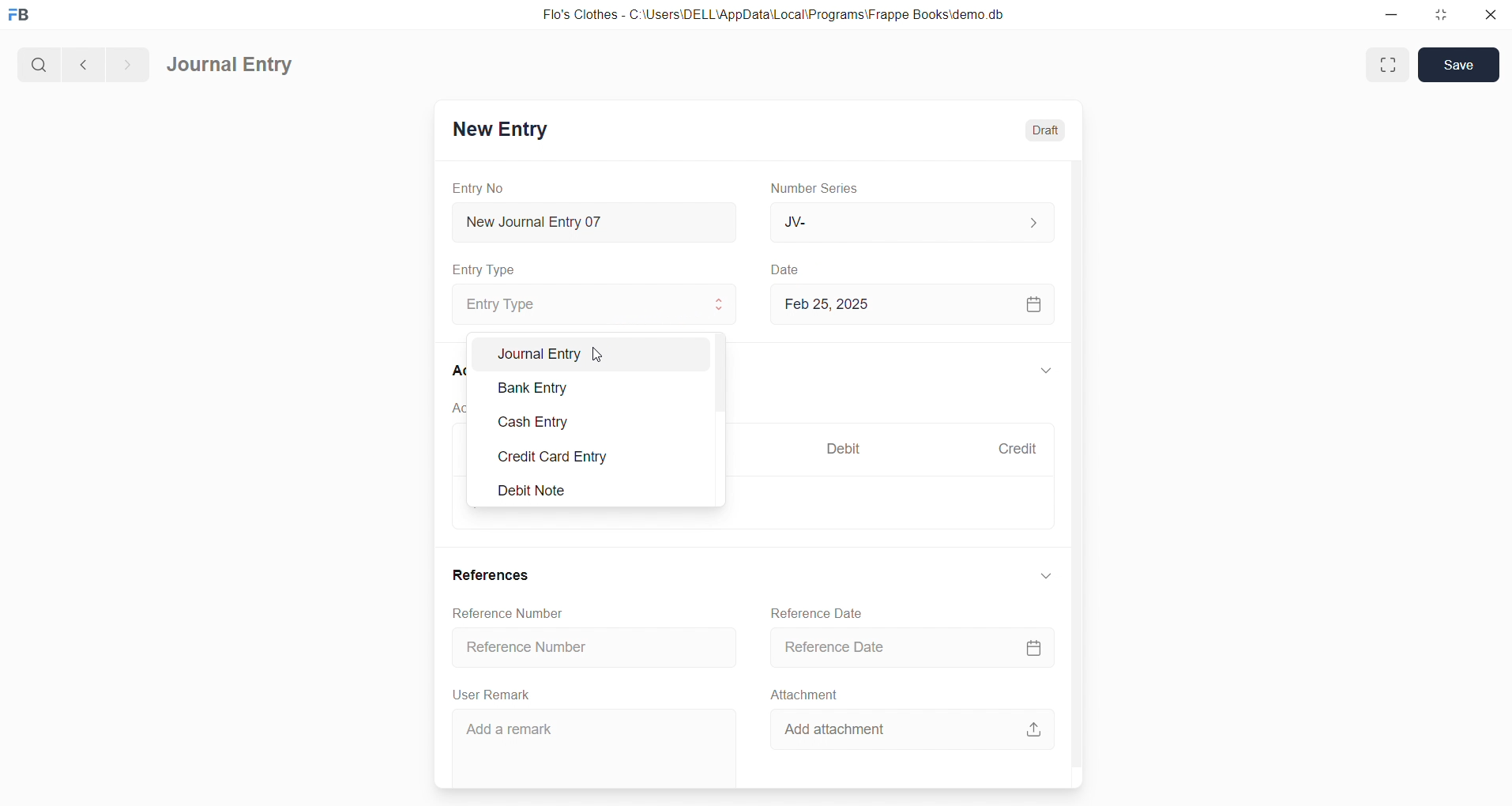  I want to click on close, so click(1489, 16).